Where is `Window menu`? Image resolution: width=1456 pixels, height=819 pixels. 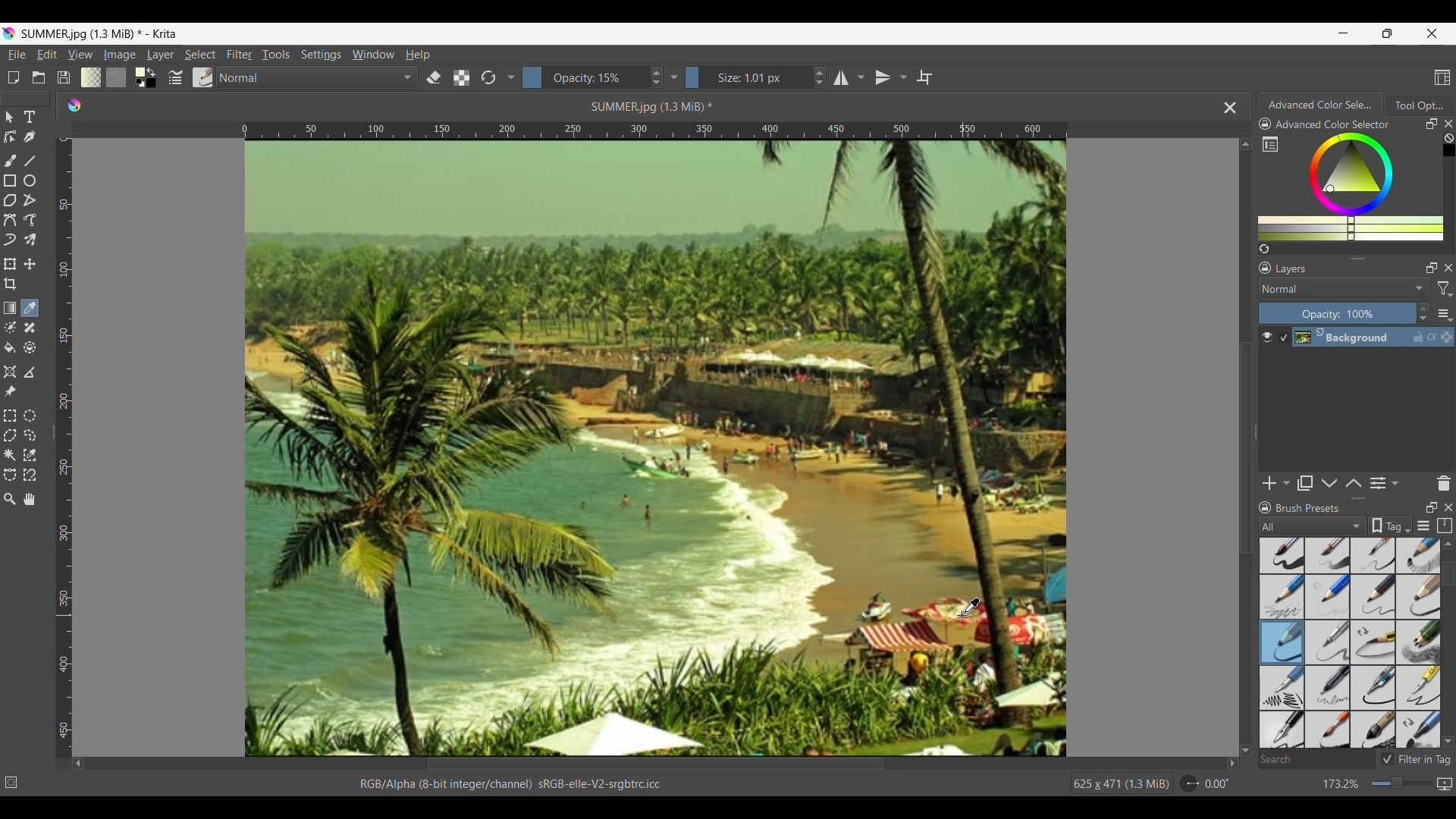 Window menu is located at coordinates (372, 54).